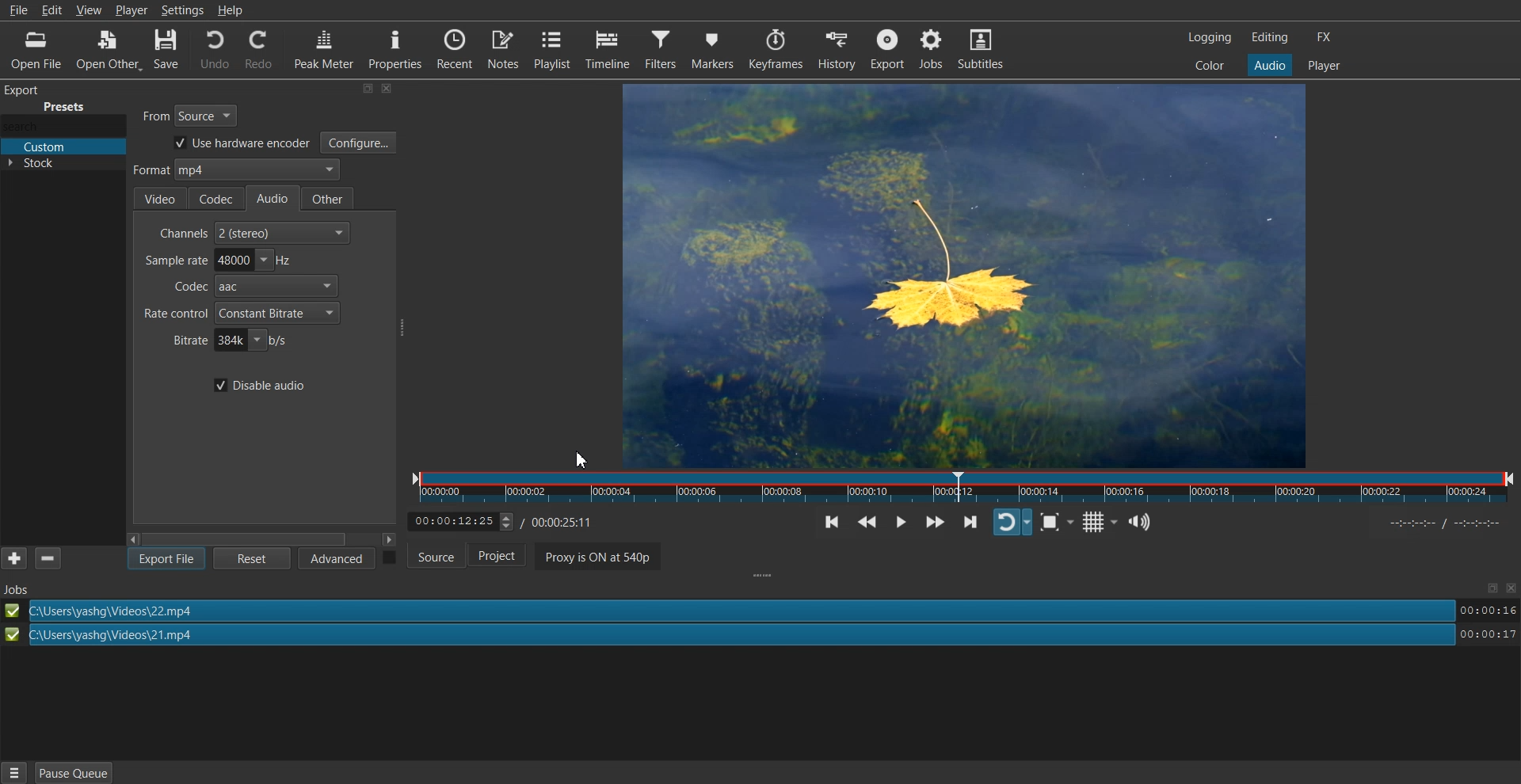 Image resolution: width=1521 pixels, height=784 pixels. What do you see at coordinates (661, 49) in the screenshot?
I see `Filters` at bounding box center [661, 49].